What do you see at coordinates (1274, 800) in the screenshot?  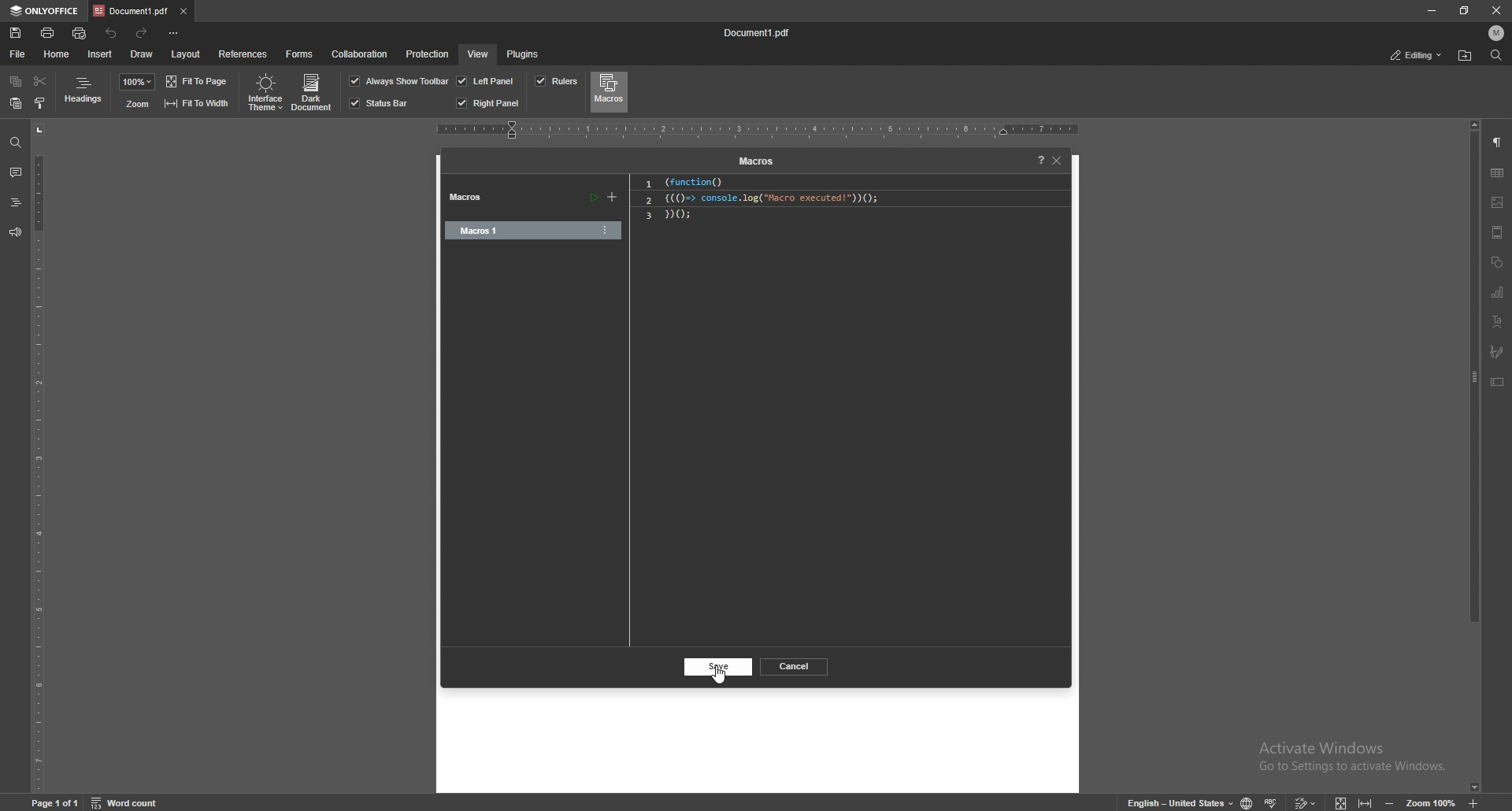 I see `spell check` at bounding box center [1274, 800].